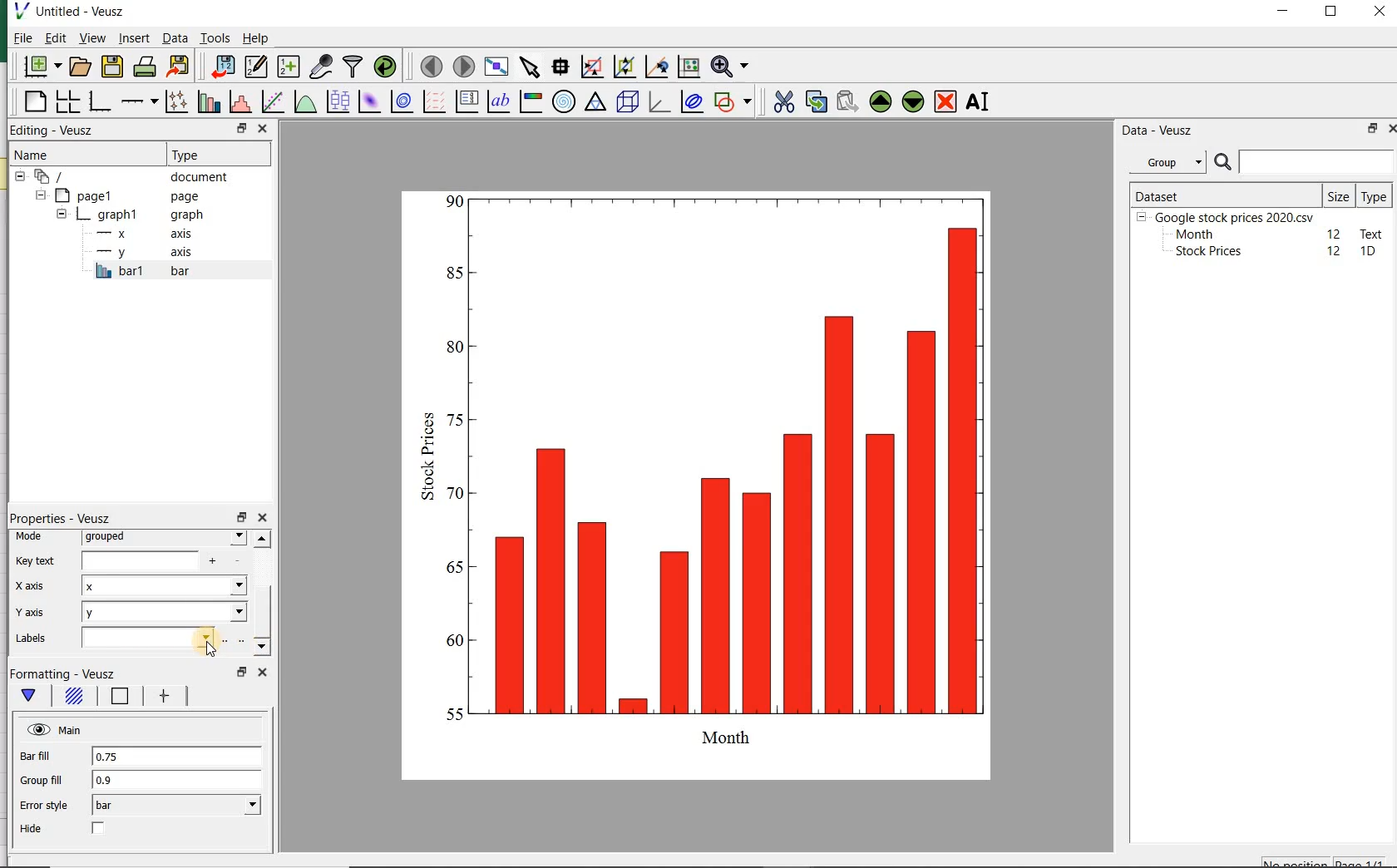 The height and width of the screenshot is (868, 1397). Describe the element at coordinates (1339, 195) in the screenshot. I see `Size` at that location.